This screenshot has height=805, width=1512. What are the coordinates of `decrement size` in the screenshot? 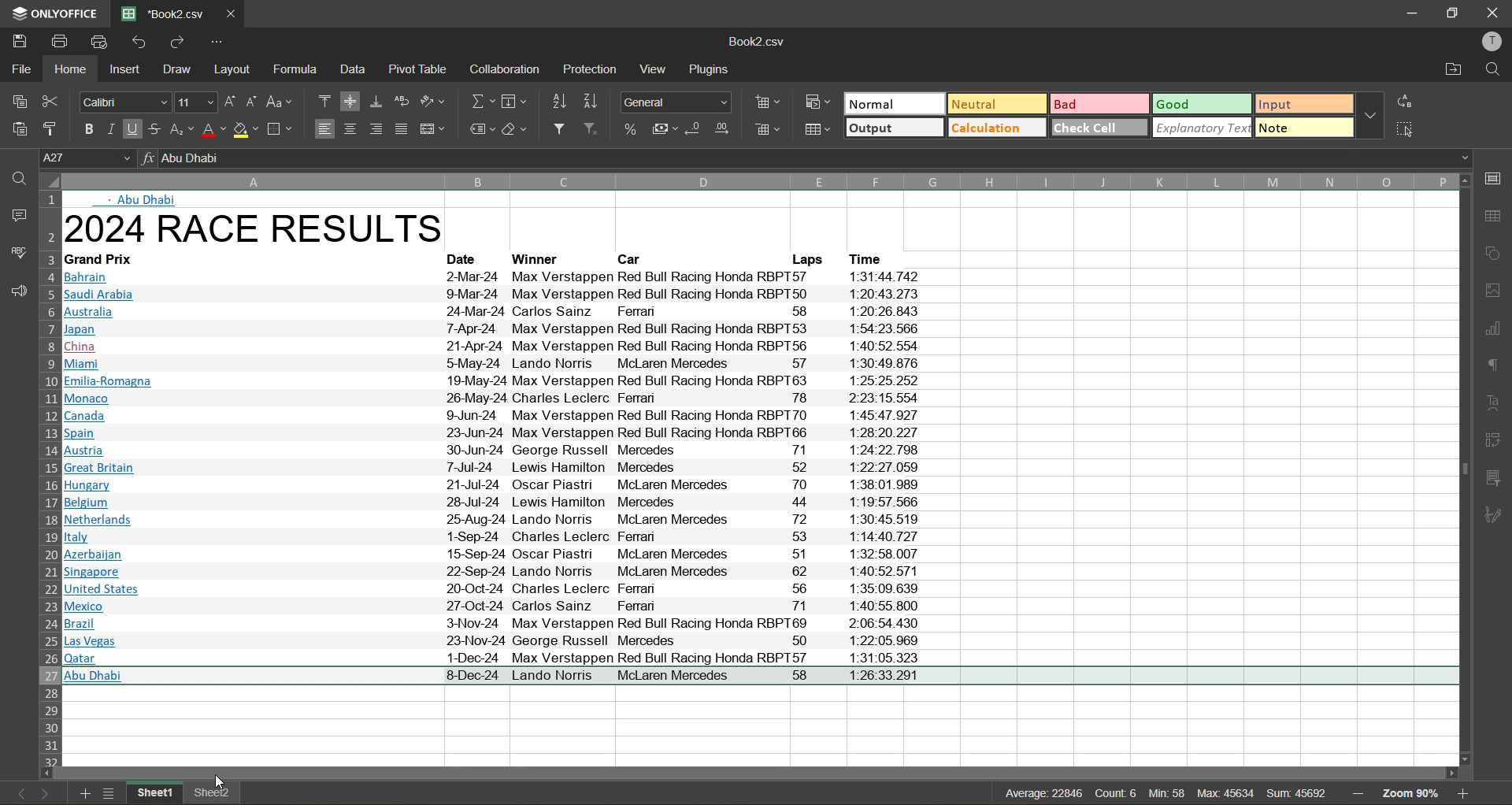 It's located at (250, 102).